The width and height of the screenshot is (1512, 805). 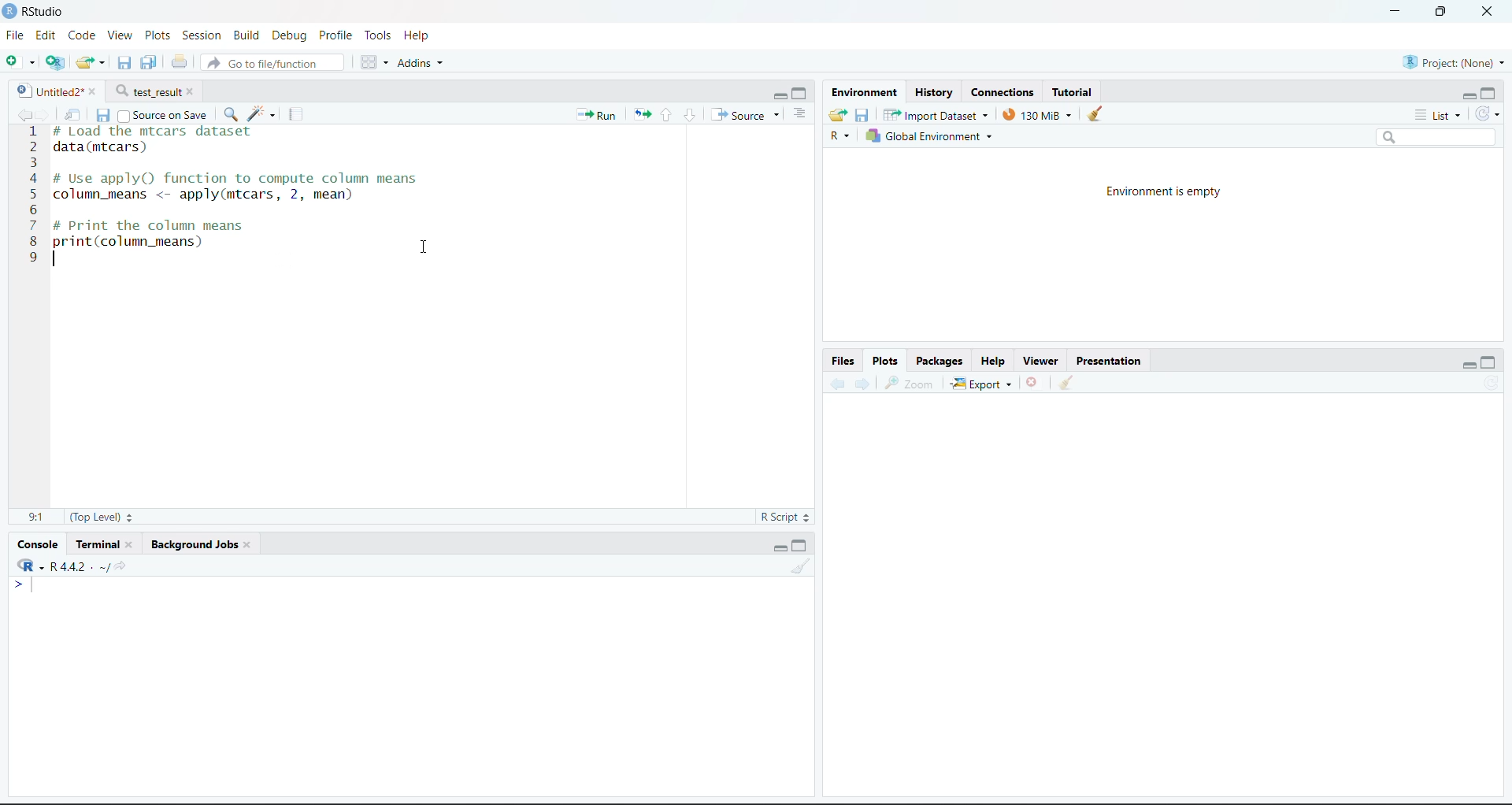 What do you see at coordinates (422, 35) in the screenshot?
I see `Help` at bounding box center [422, 35].